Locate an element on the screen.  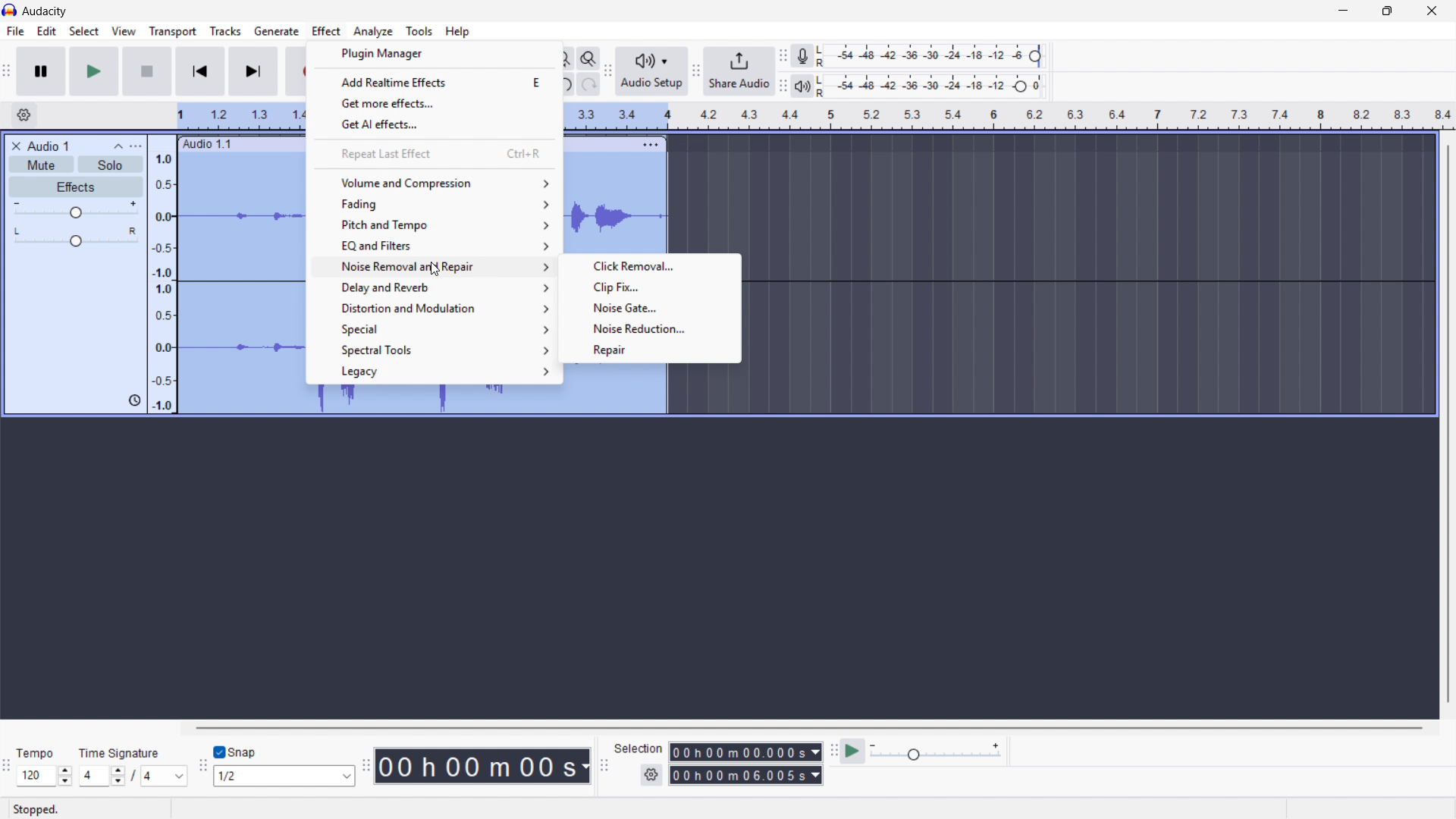
Timeline settings  is located at coordinates (24, 116).